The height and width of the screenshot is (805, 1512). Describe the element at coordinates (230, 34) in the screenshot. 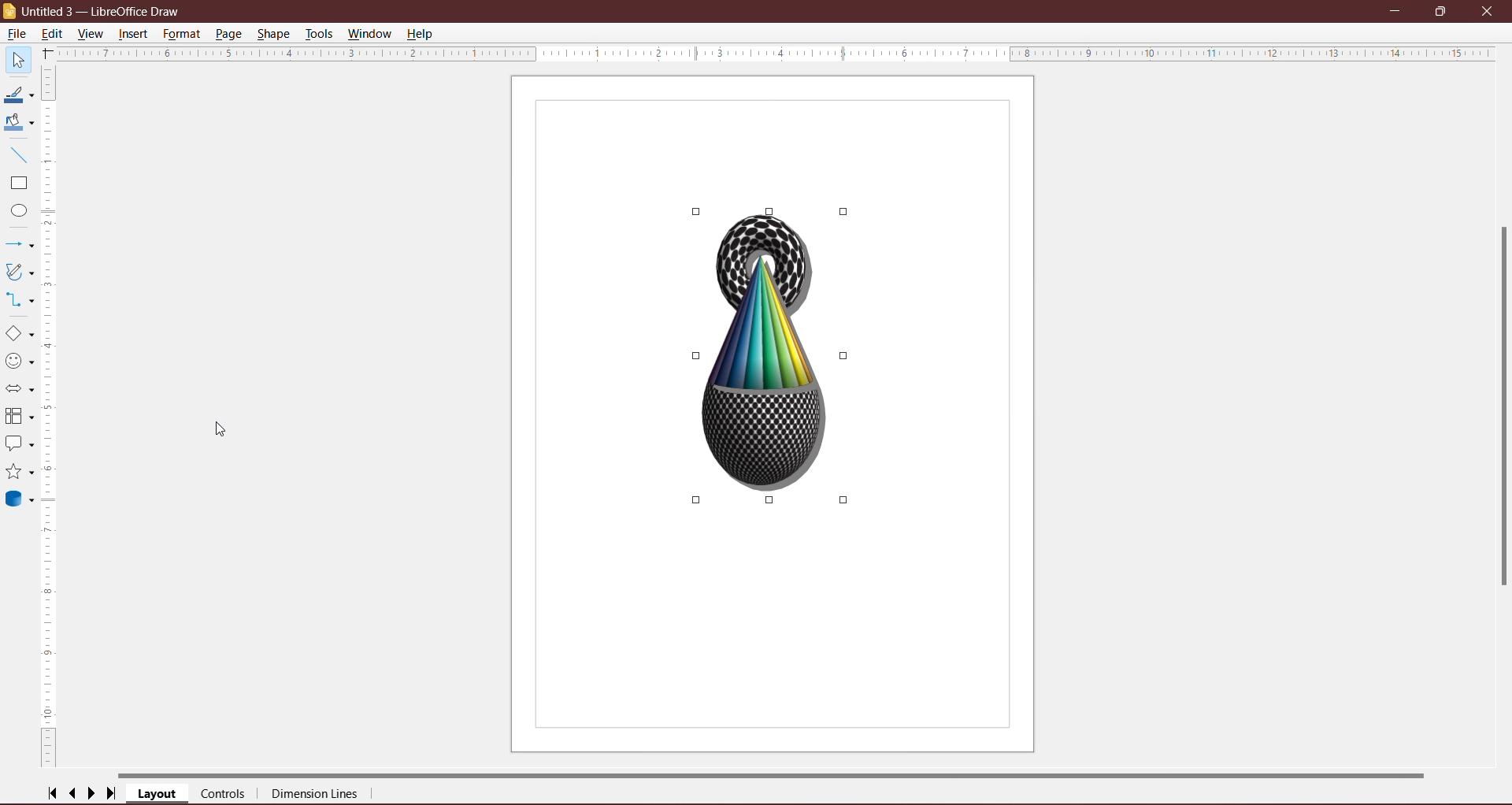

I see `Page` at that location.